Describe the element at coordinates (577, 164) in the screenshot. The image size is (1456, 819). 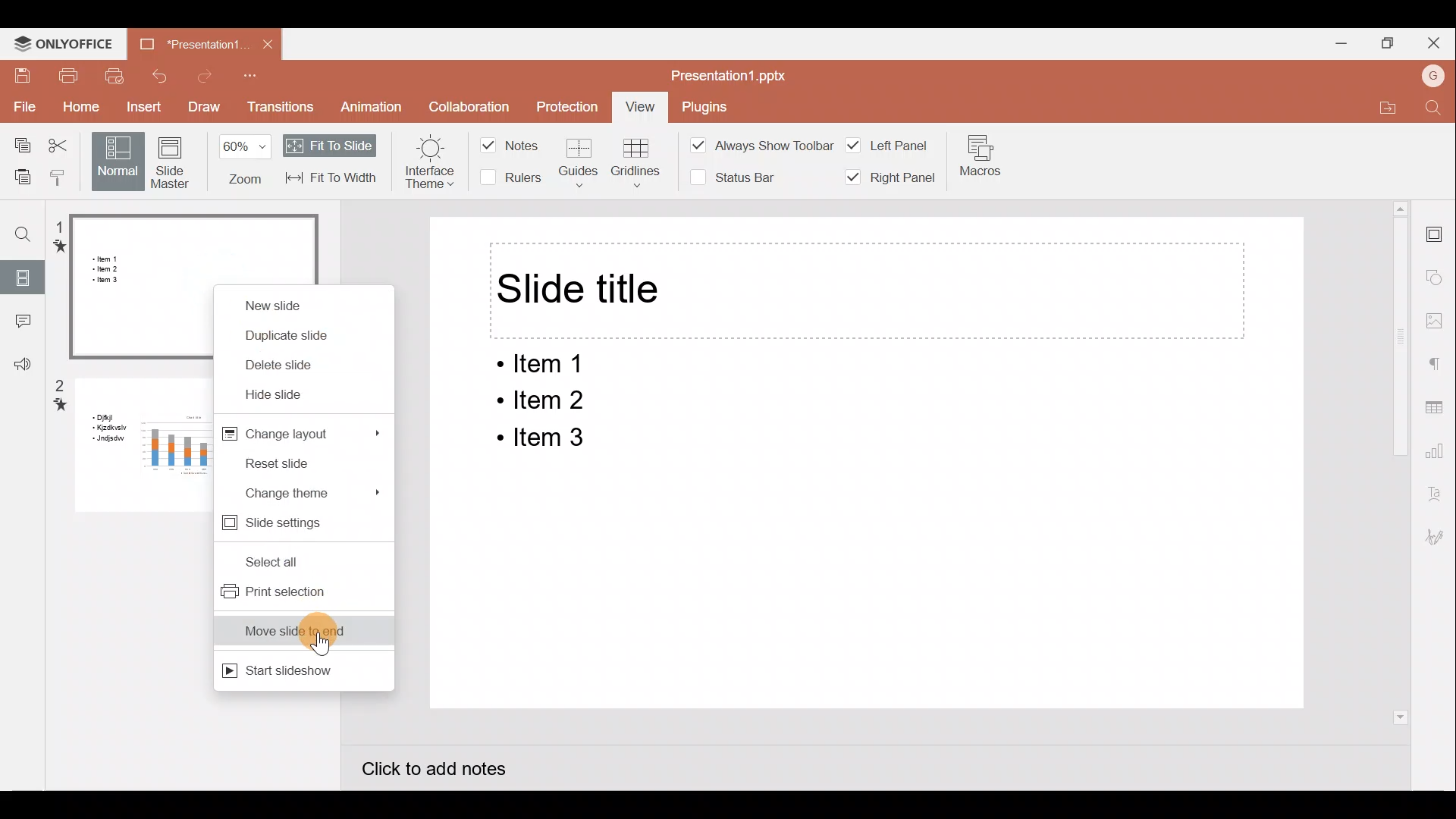
I see `Guides` at that location.